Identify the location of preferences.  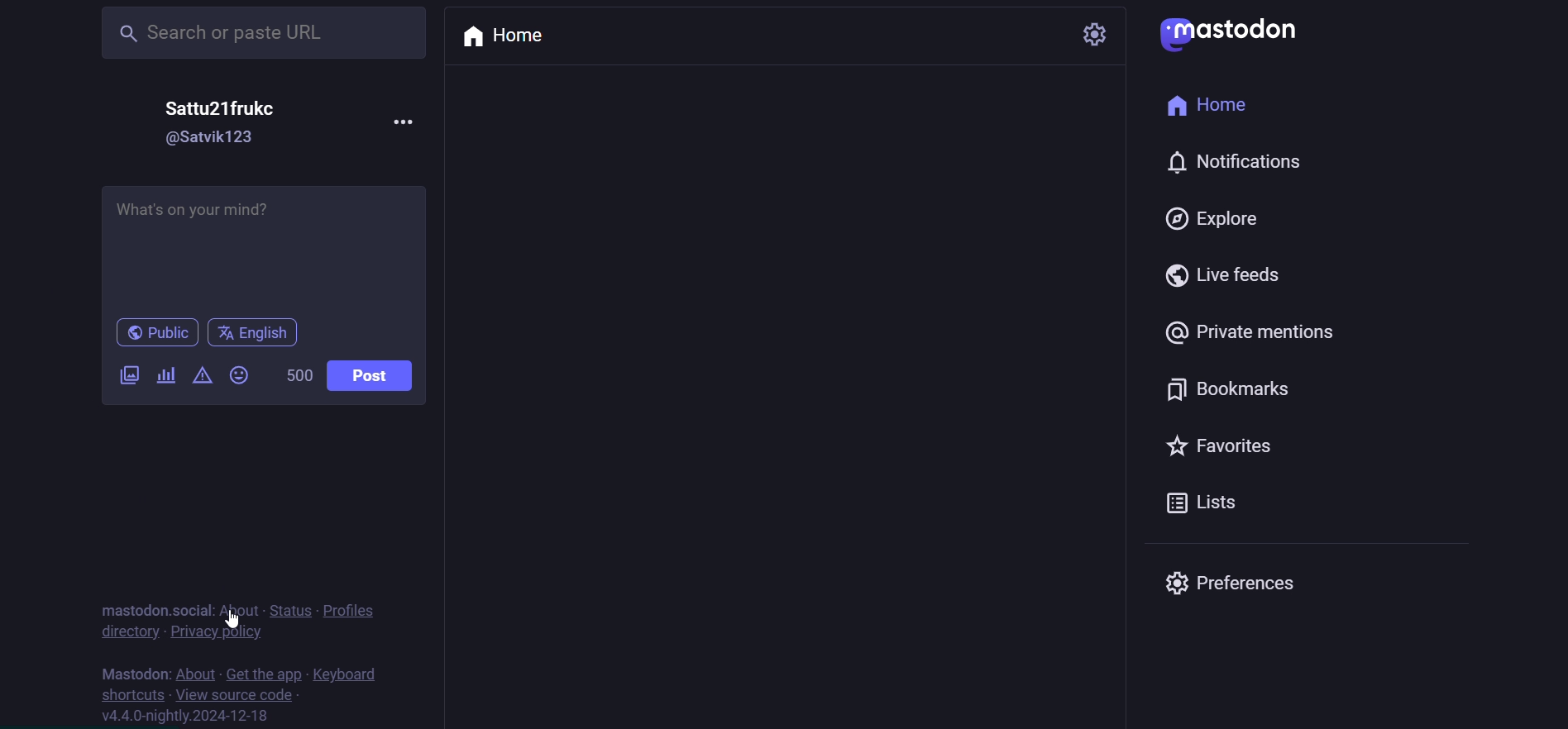
(1241, 583).